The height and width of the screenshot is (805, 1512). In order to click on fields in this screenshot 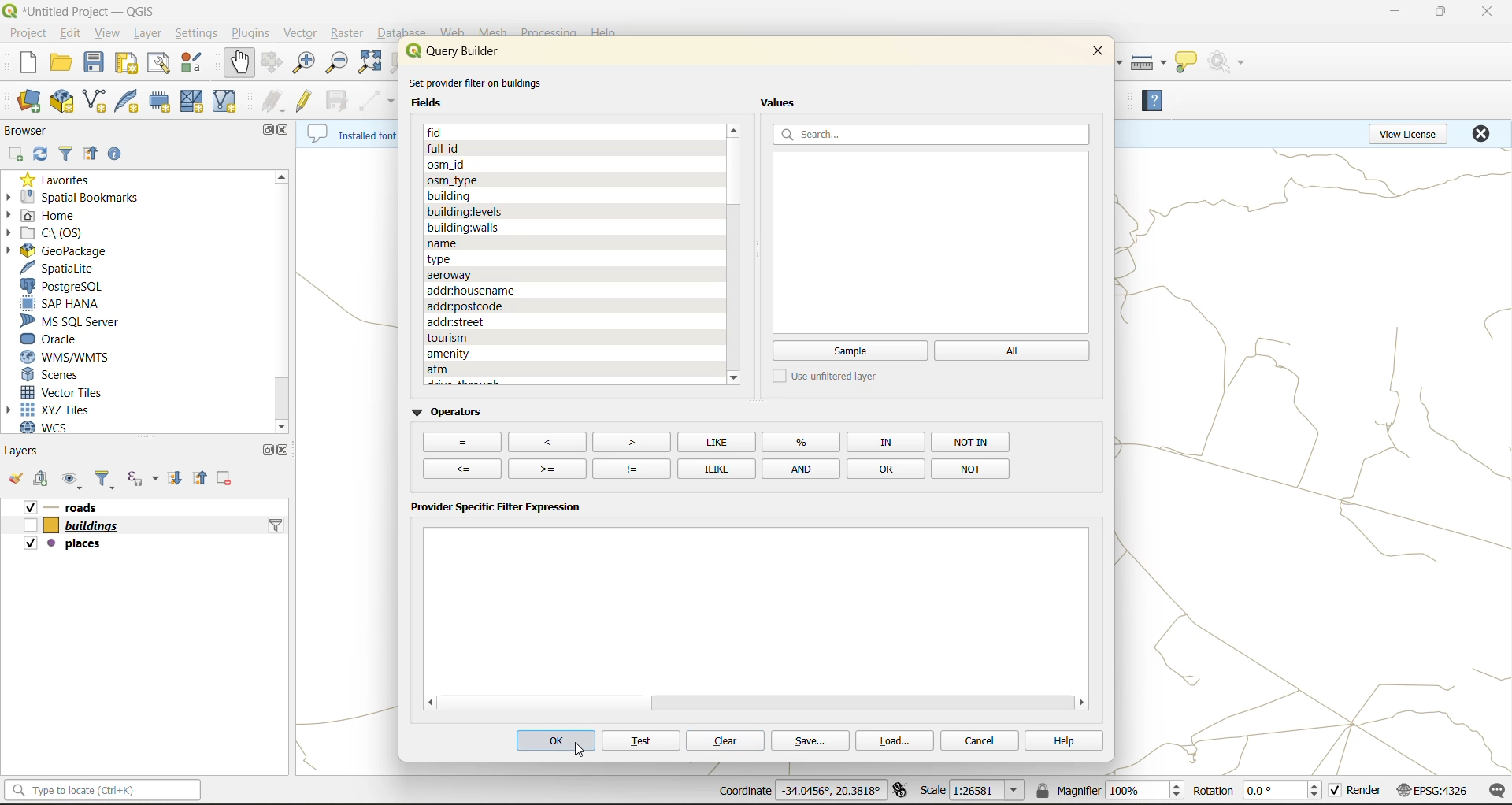, I will do `click(453, 178)`.